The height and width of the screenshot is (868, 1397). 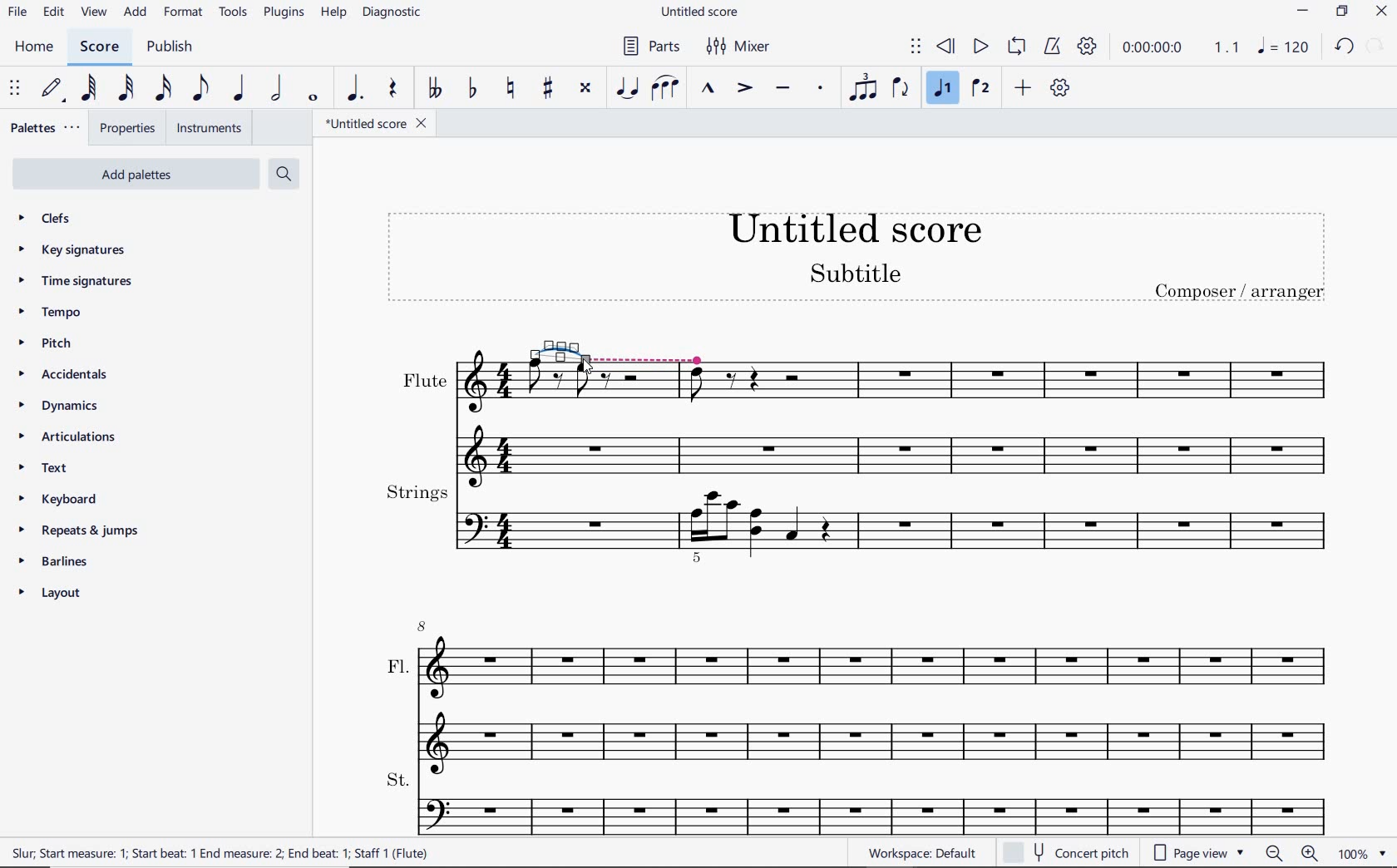 What do you see at coordinates (130, 128) in the screenshot?
I see `PROPERTIES` at bounding box center [130, 128].